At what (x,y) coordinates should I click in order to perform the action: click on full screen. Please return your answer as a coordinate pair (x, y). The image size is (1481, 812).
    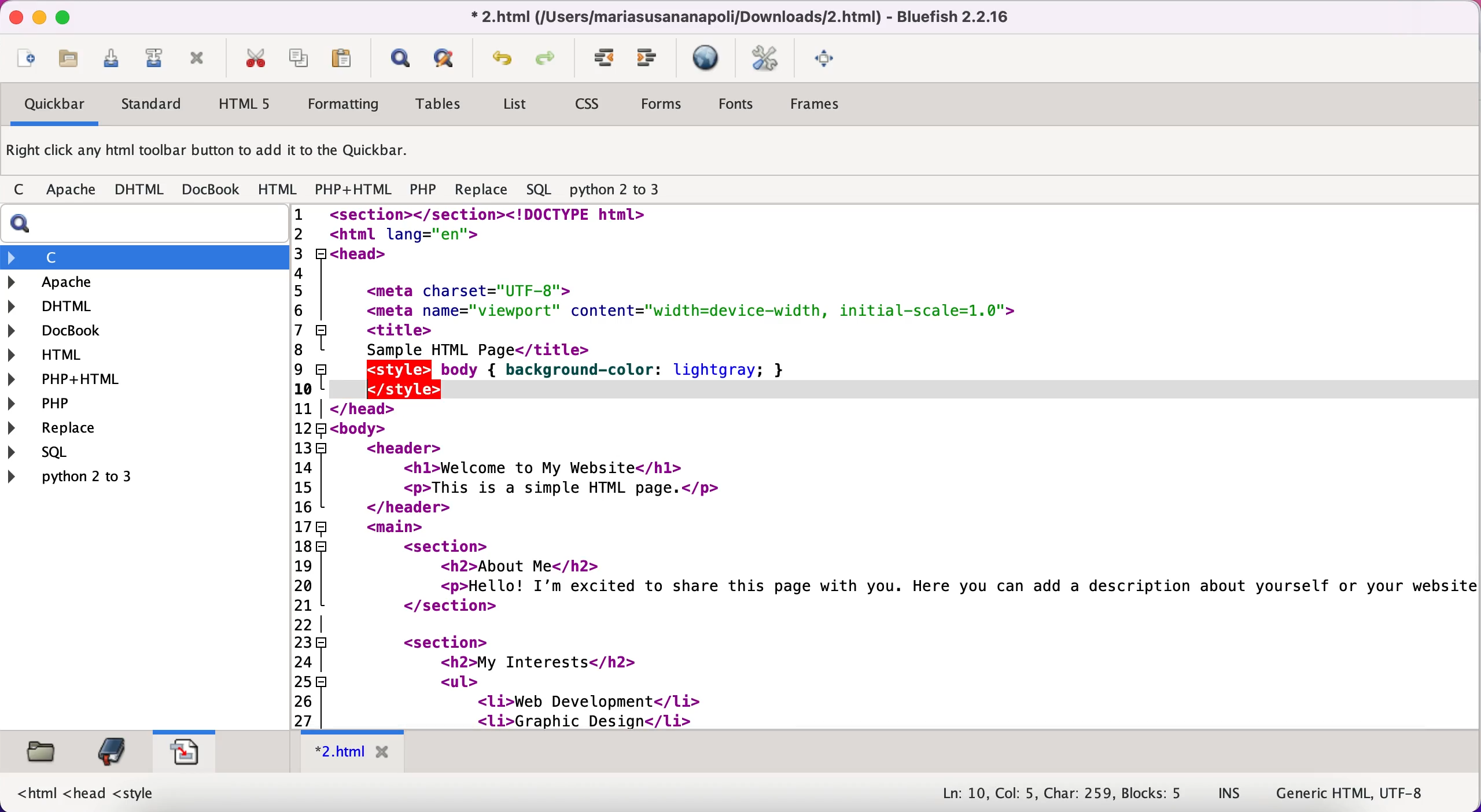
    Looking at the image, I should click on (827, 57).